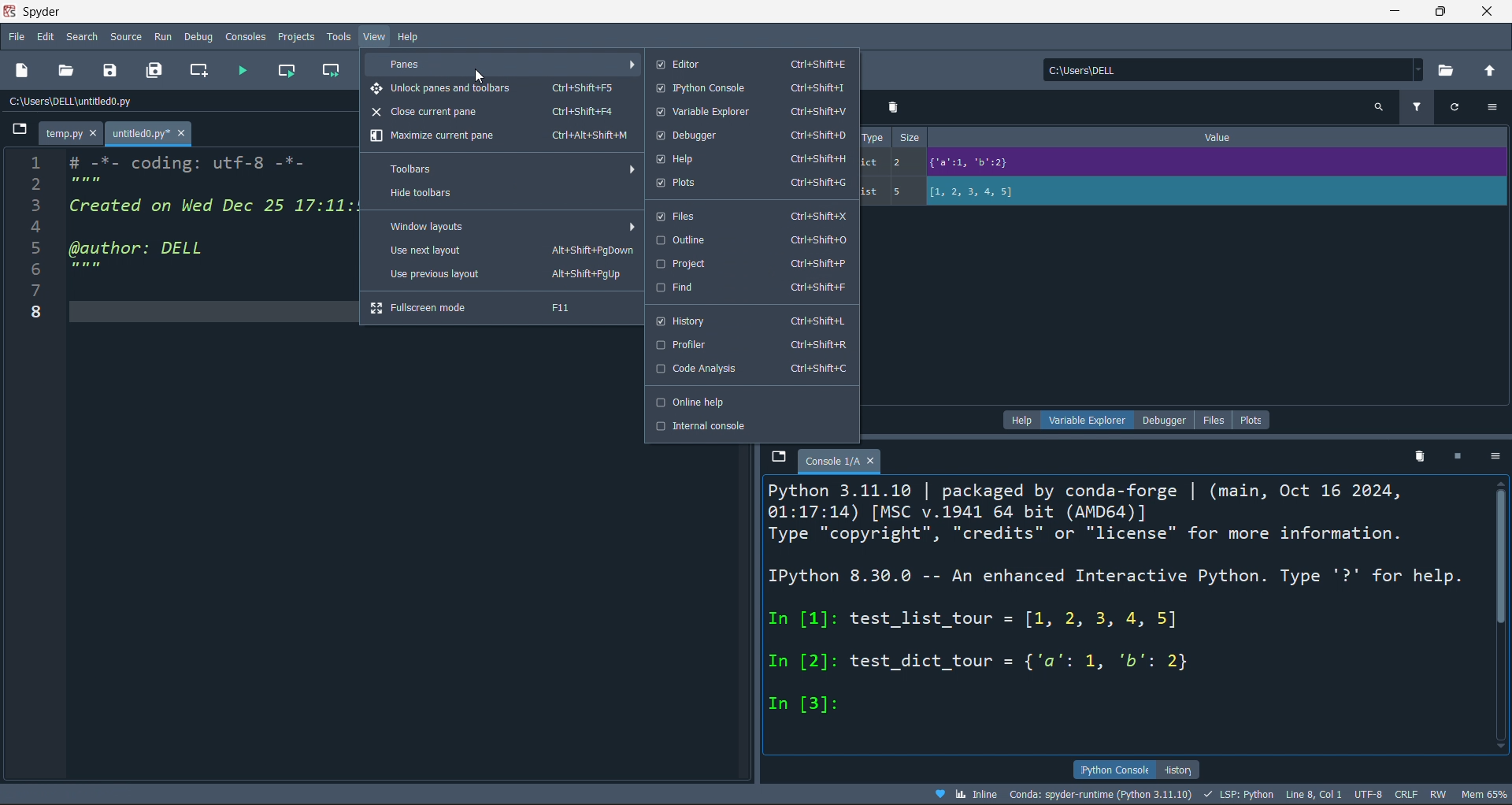 The image size is (1512, 805). Describe the element at coordinates (501, 248) in the screenshot. I see `use next layout` at that location.